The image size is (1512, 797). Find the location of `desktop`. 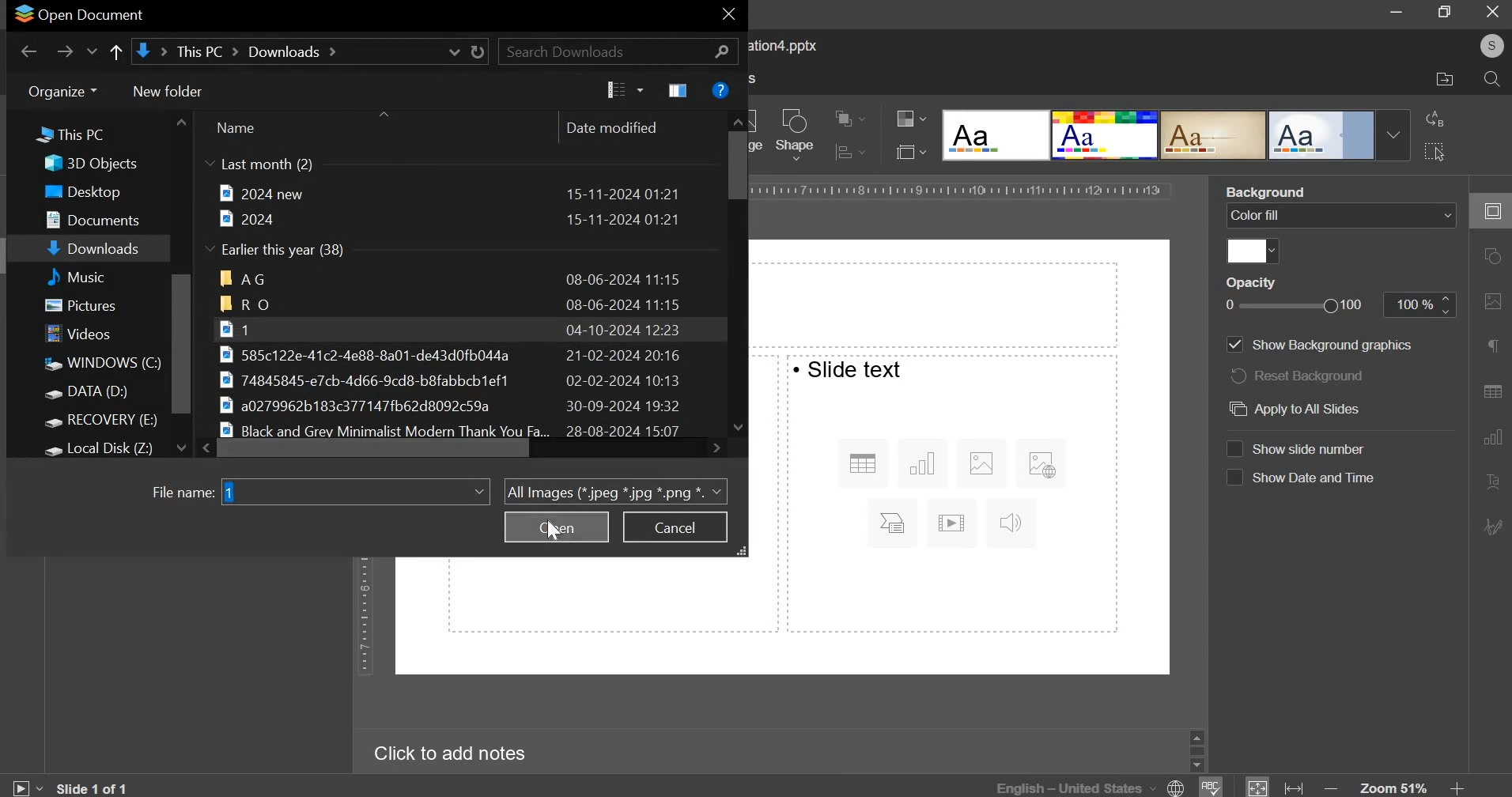

desktop is located at coordinates (93, 192).